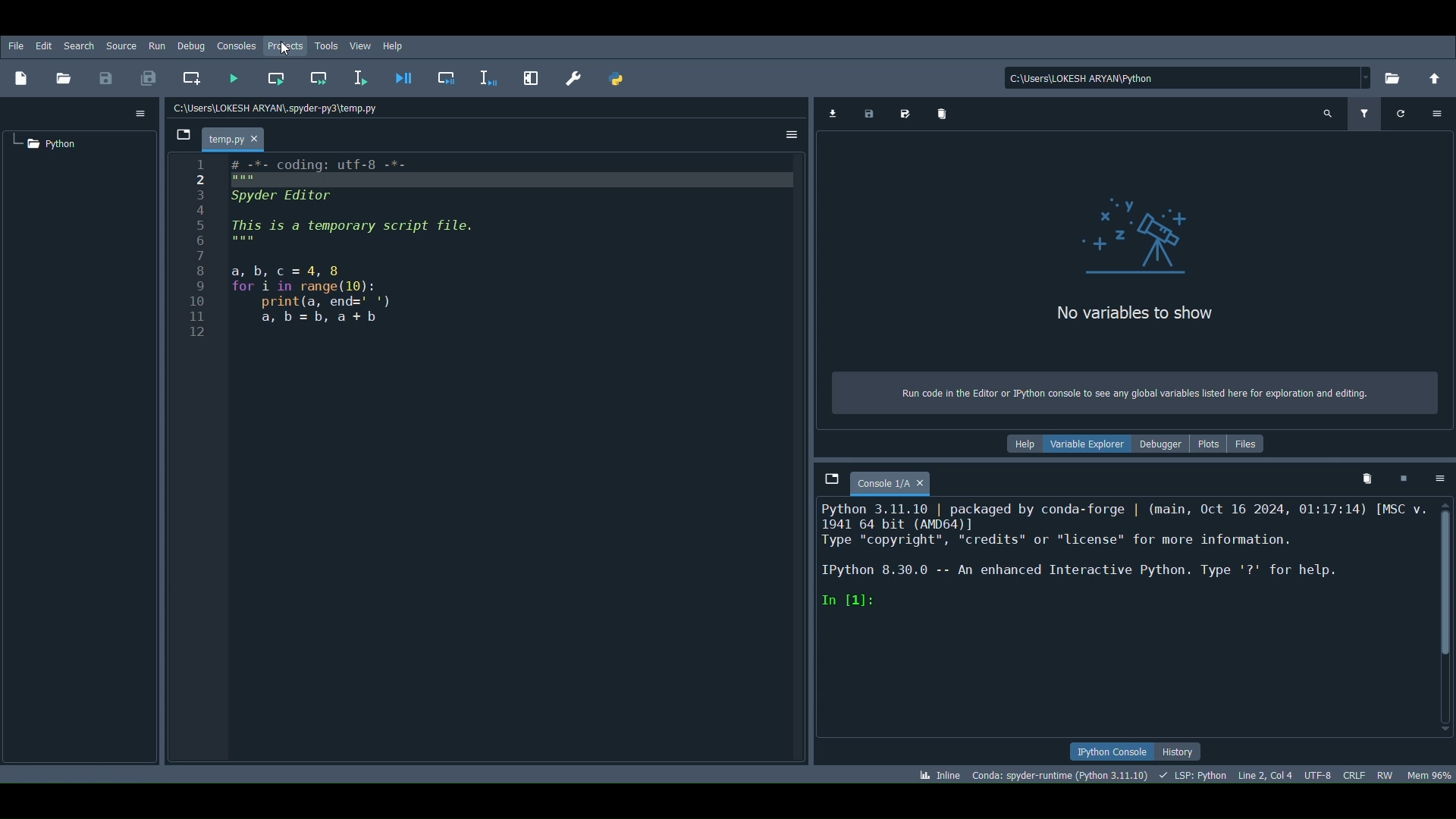  I want to click on Debug, so click(190, 46).